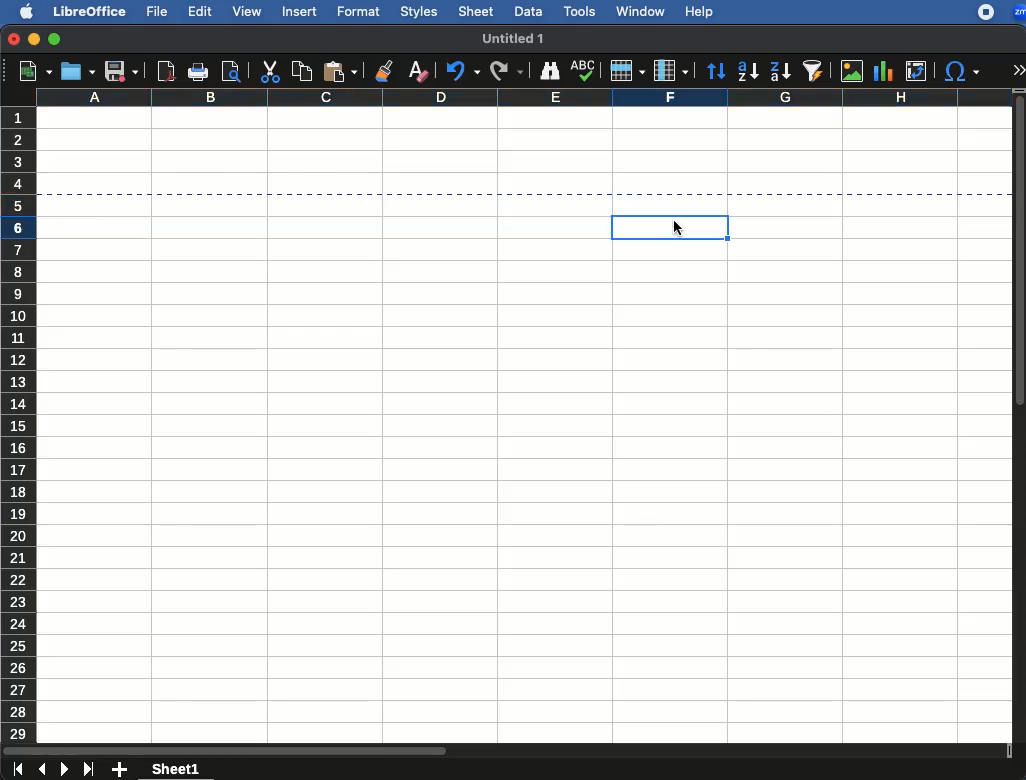 This screenshot has width=1026, height=780. Describe the element at coordinates (62, 770) in the screenshot. I see `next sheet` at that location.